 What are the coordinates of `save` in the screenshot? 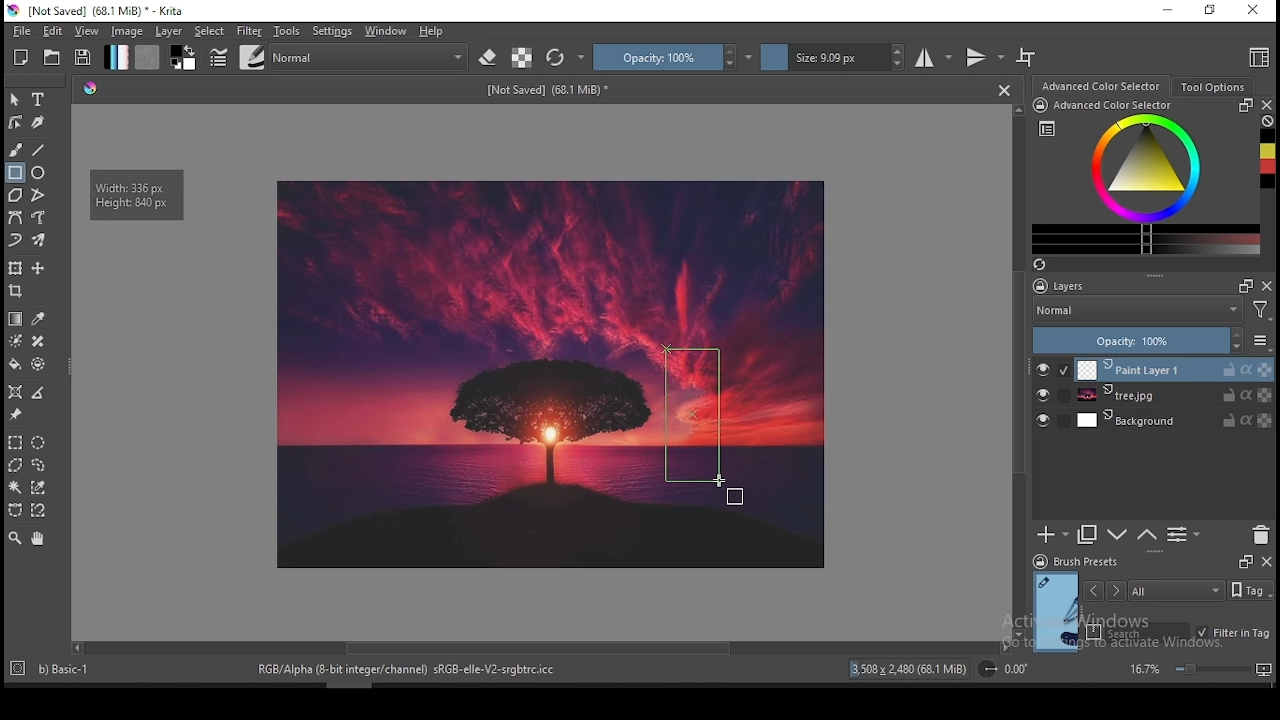 It's located at (84, 58).